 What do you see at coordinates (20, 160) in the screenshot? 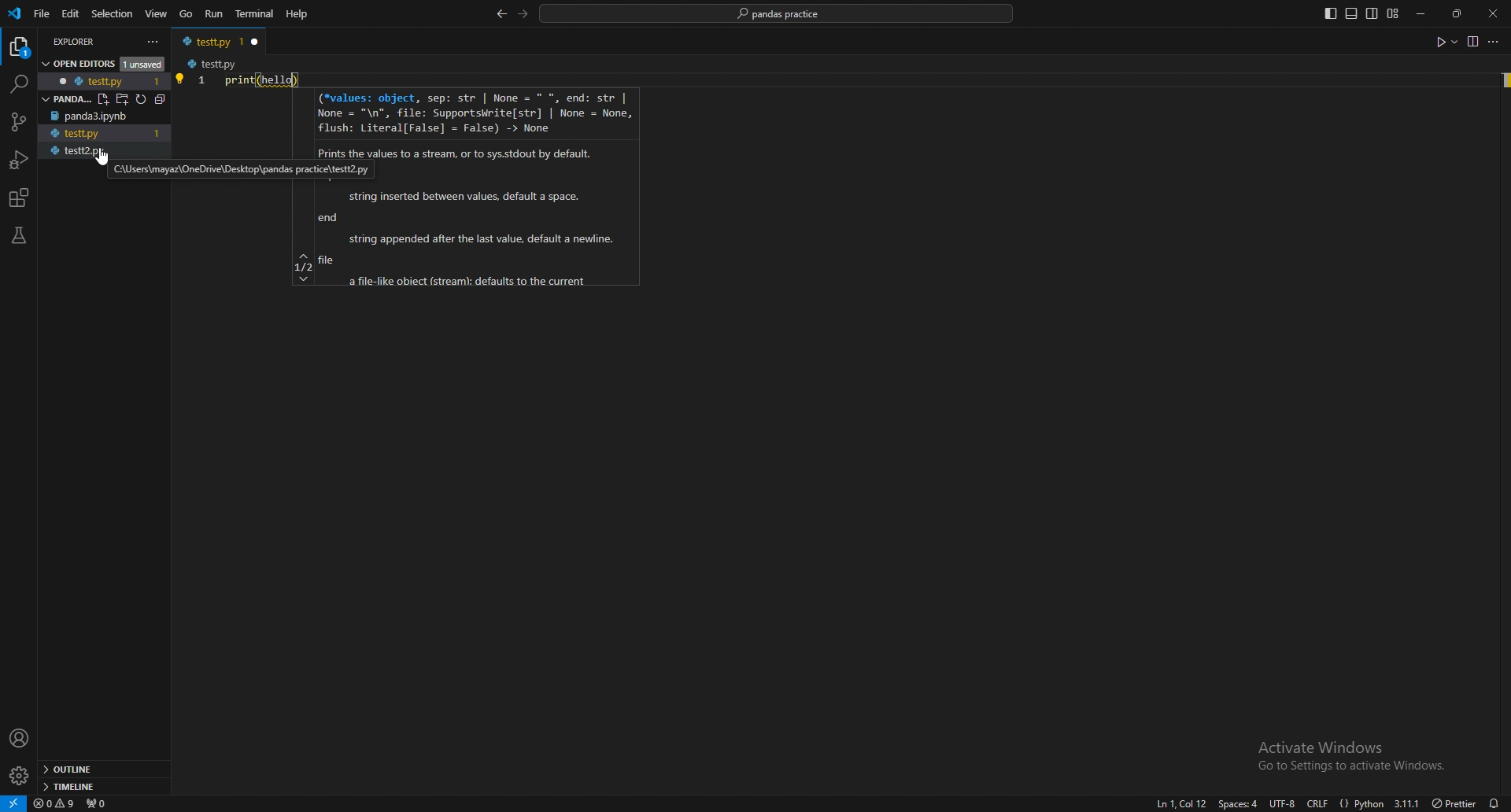
I see `run and debug` at bounding box center [20, 160].